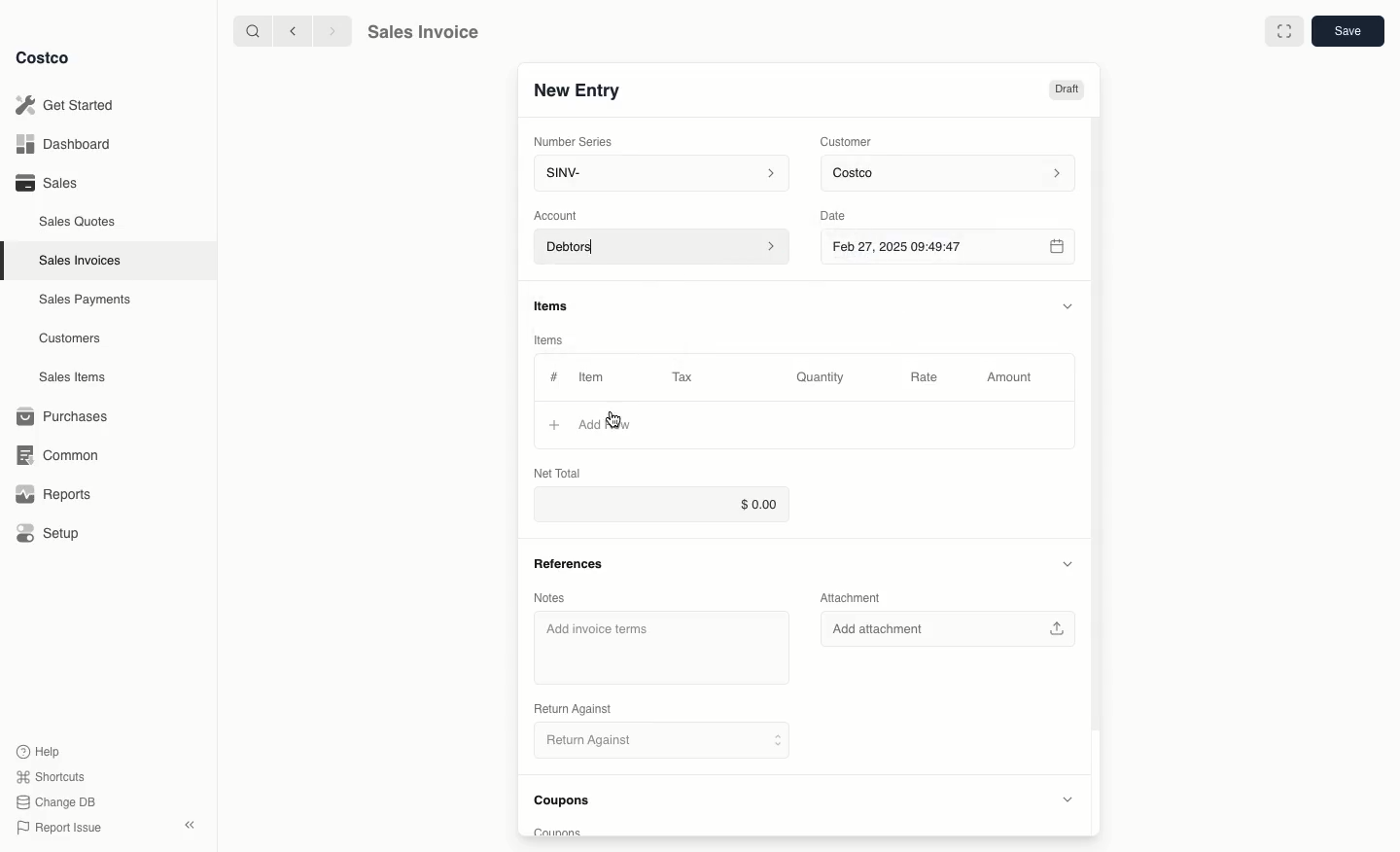 The width and height of the screenshot is (1400, 852). Describe the element at coordinates (951, 174) in the screenshot. I see `Costco` at that location.